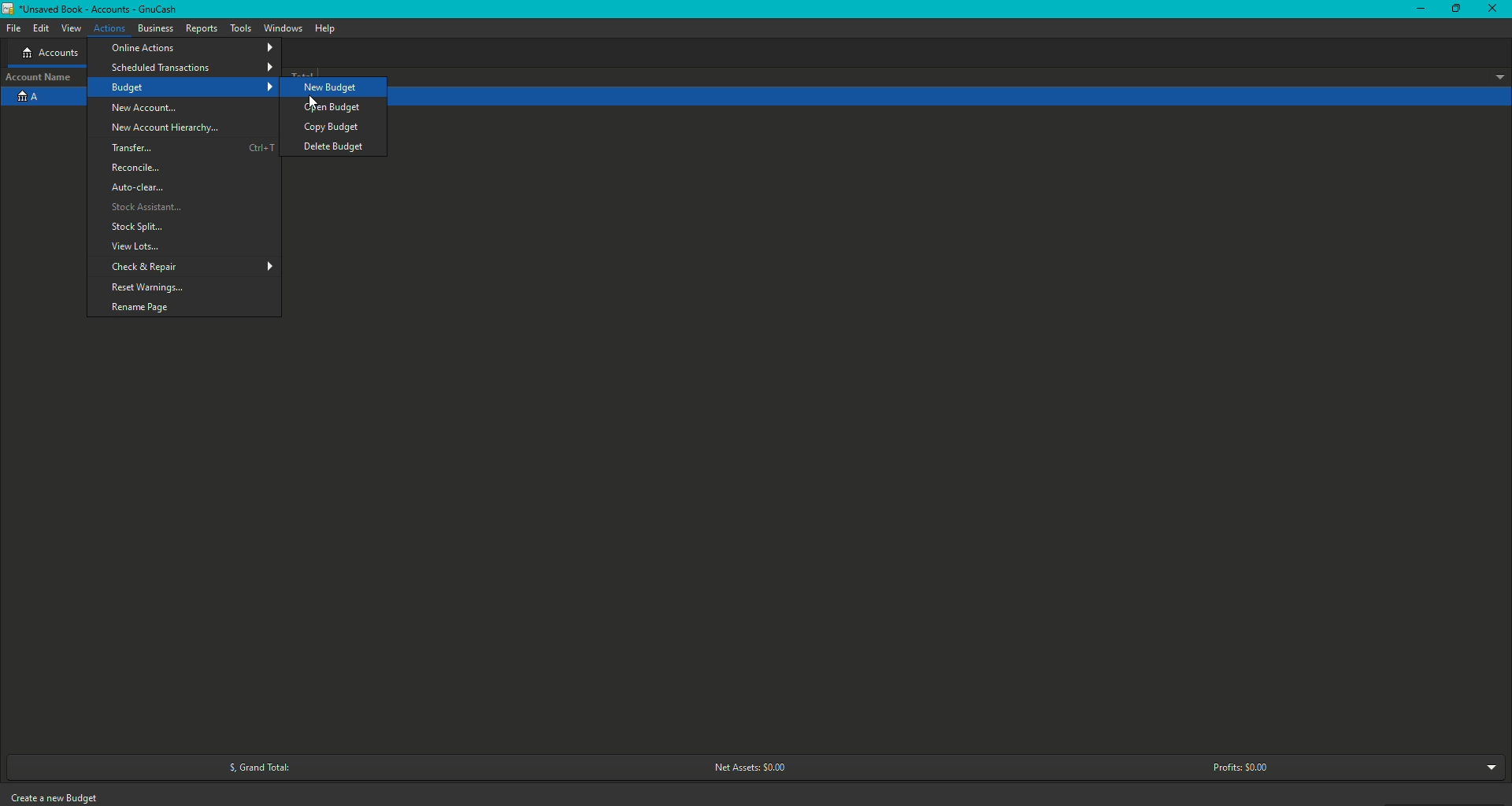 The width and height of the screenshot is (1512, 806). What do you see at coordinates (93, 8) in the screenshot?
I see `GnuCash` at bounding box center [93, 8].